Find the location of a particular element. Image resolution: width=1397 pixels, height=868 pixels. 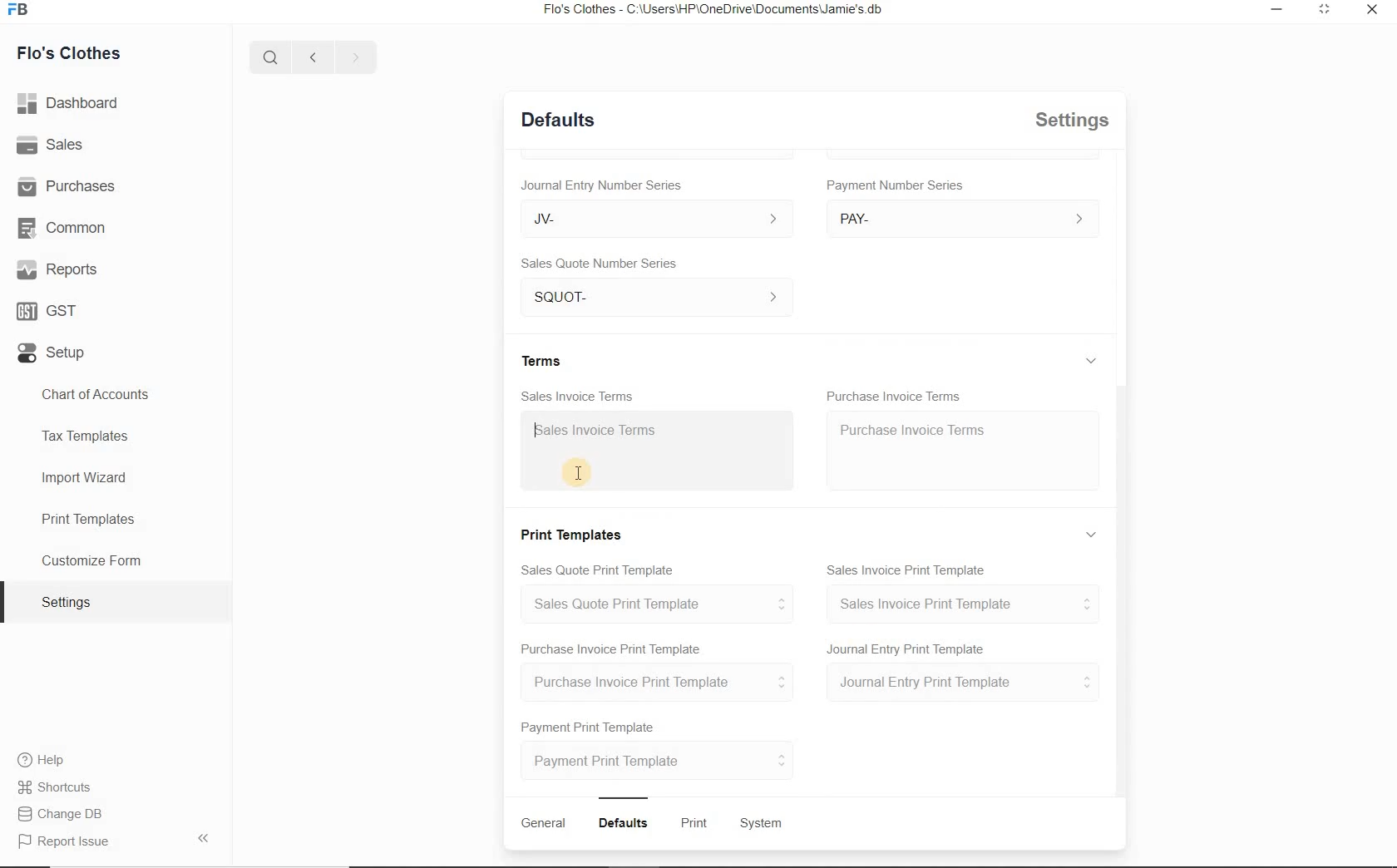

Journal Entry Number Series is located at coordinates (601, 185).